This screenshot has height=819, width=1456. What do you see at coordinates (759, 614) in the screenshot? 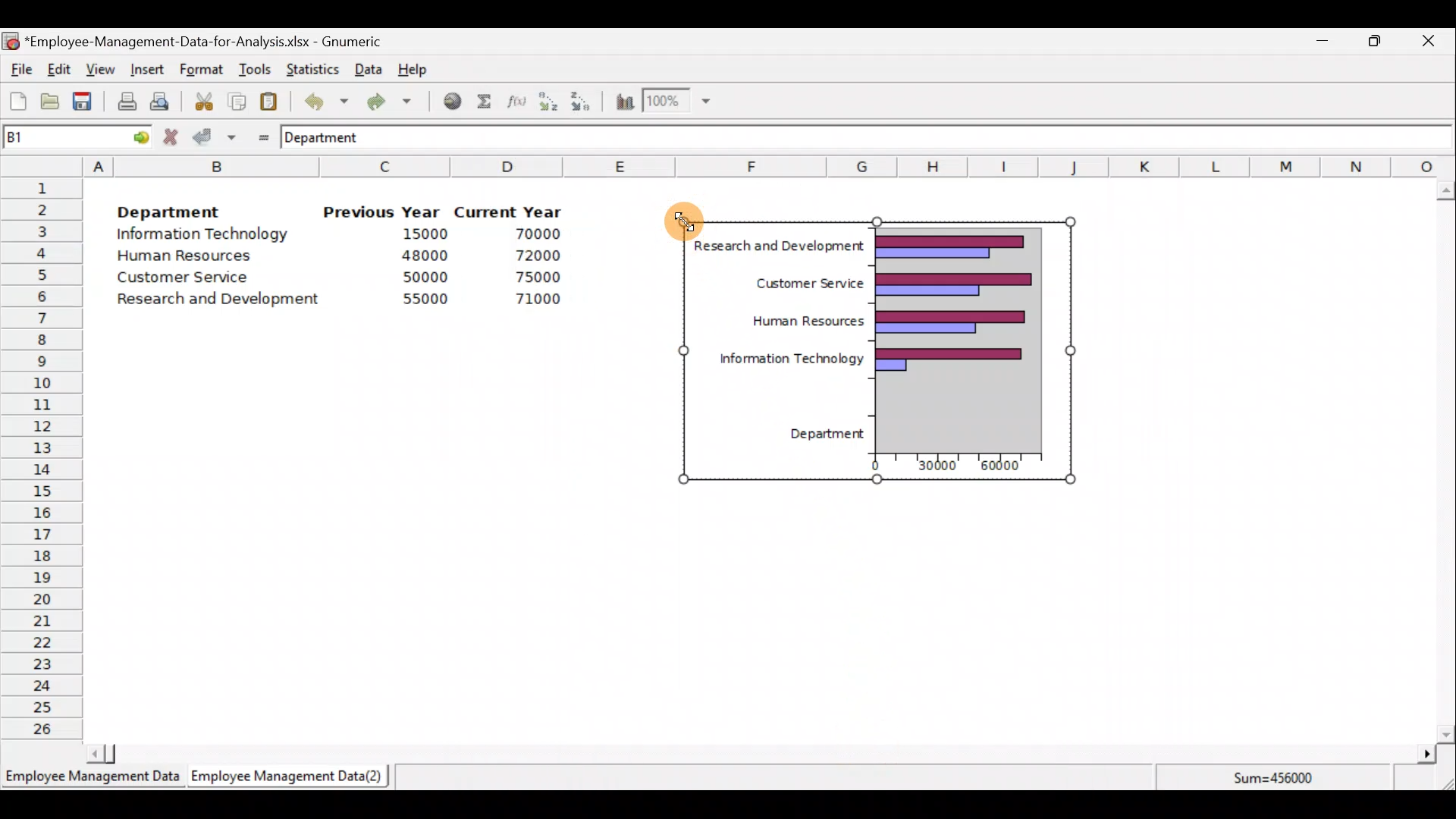
I see `Cells` at bounding box center [759, 614].